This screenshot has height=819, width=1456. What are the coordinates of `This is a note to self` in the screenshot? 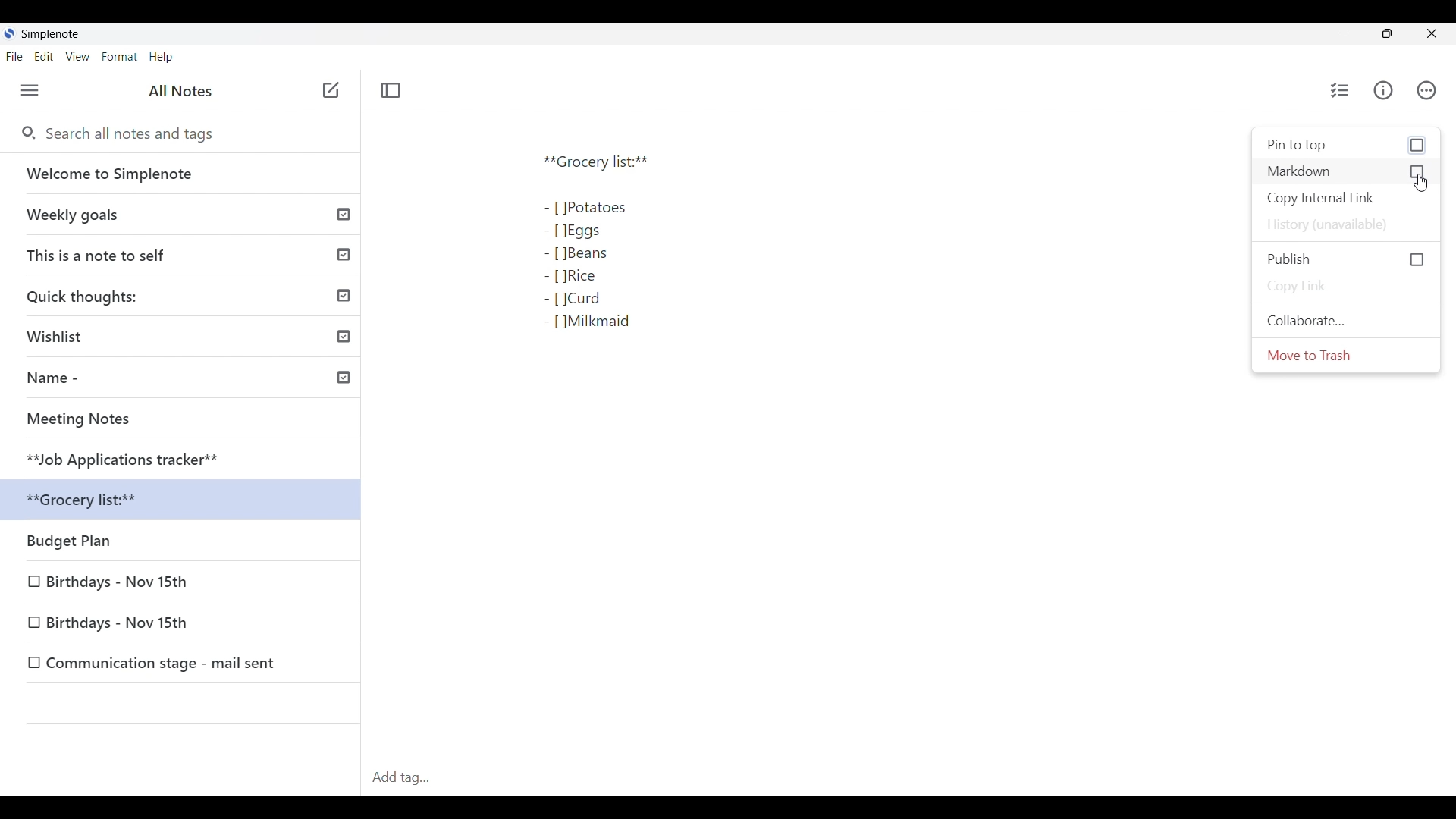 It's located at (186, 256).